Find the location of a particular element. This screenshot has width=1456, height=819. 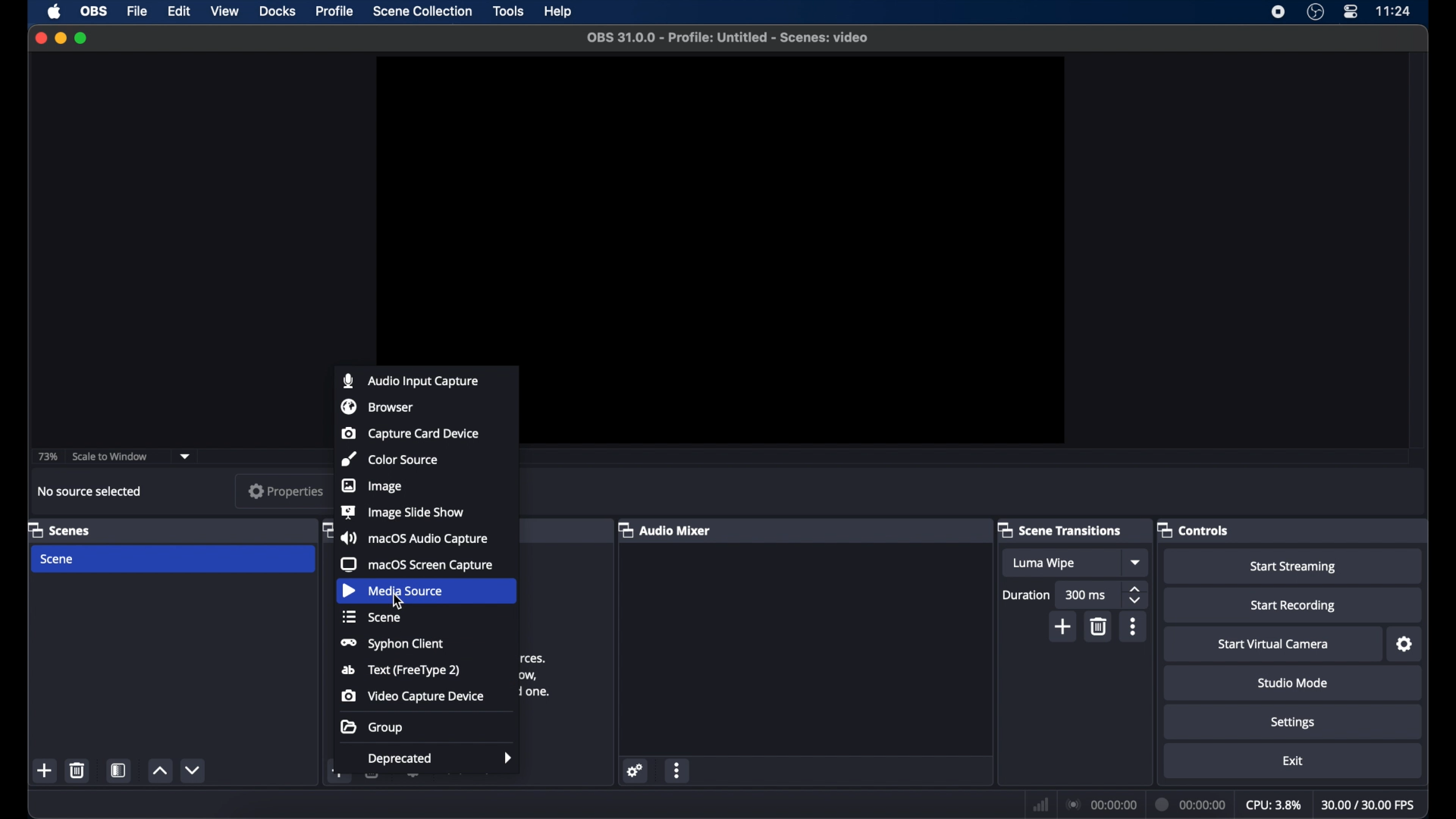

dropdown is located at coordinates (186, 457).